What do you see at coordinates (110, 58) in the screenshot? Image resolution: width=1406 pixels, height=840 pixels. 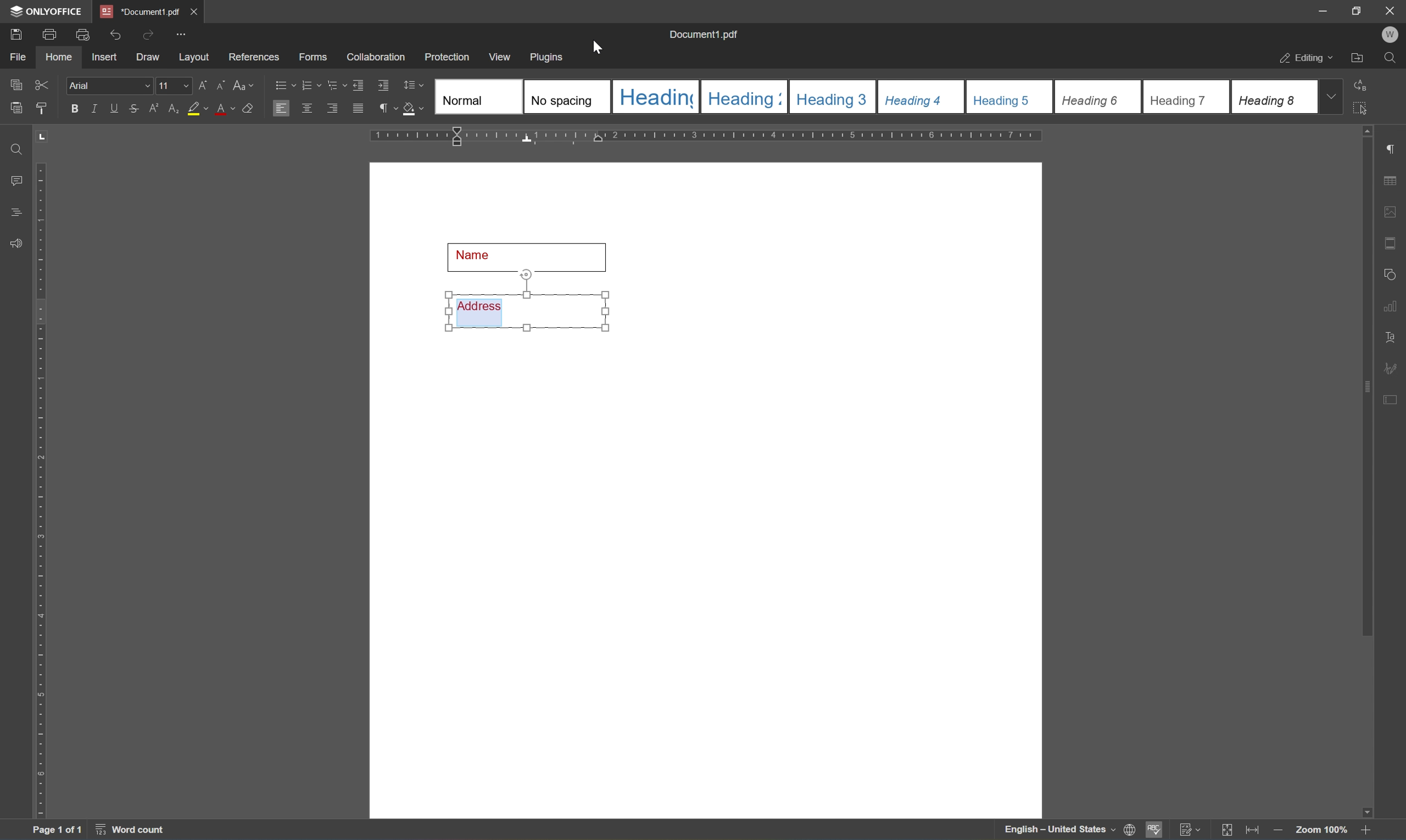 I see `insert` at bounding box center [110, 58].